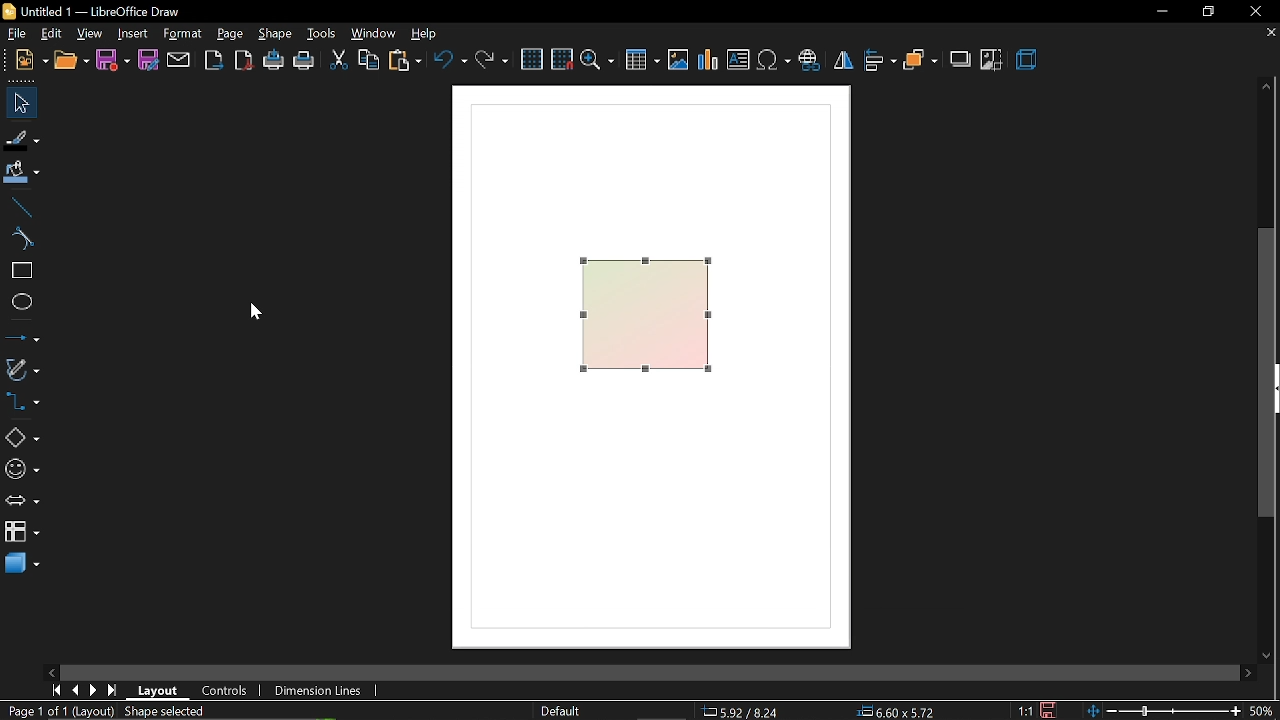 This screenshot has height=720, width=1280. I want to click on select, so click(21, 103).